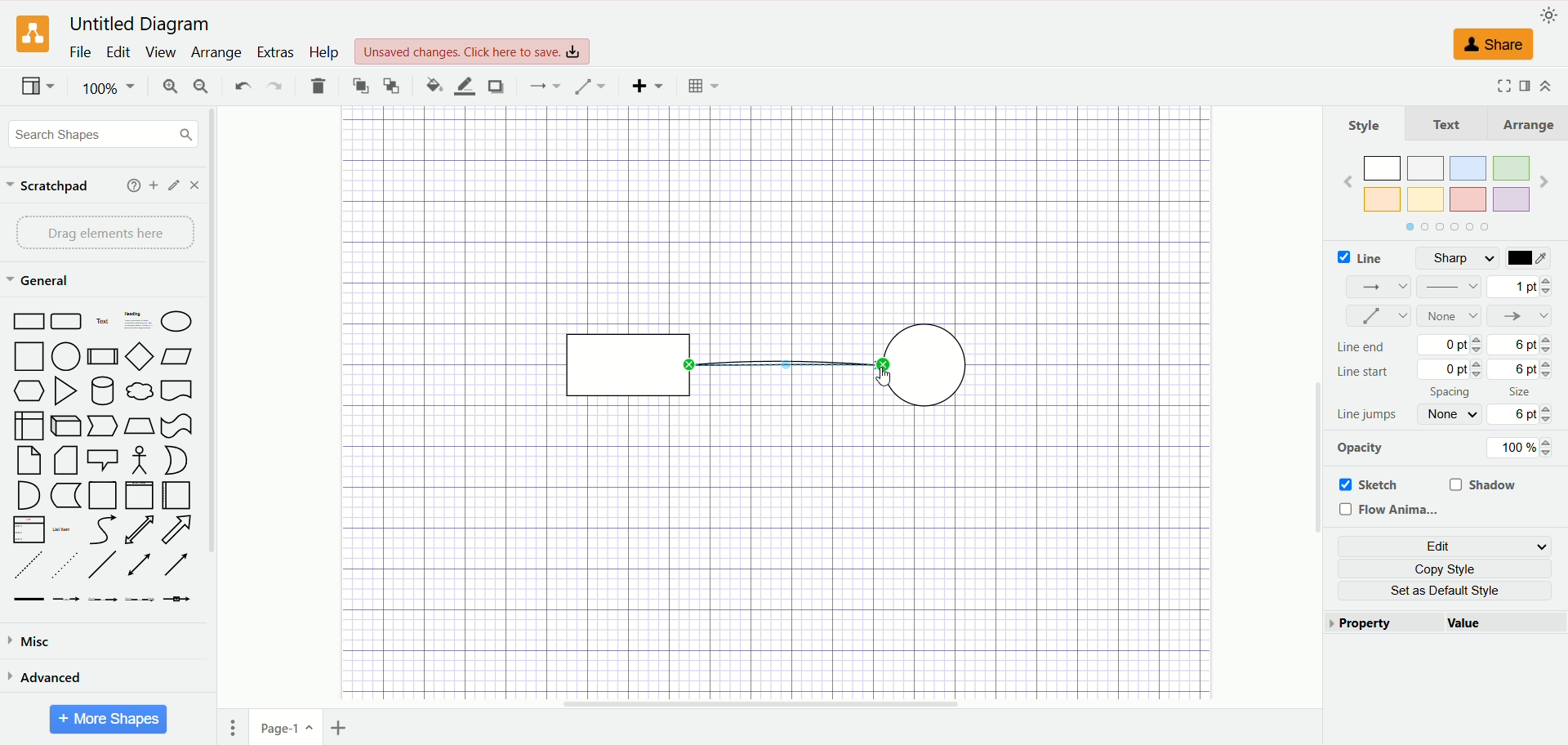 The image size is (1568, 745). What do you see at coordinates (925, 365) in the screenshot?
I see `Circle` at bounding box center [925, 365].